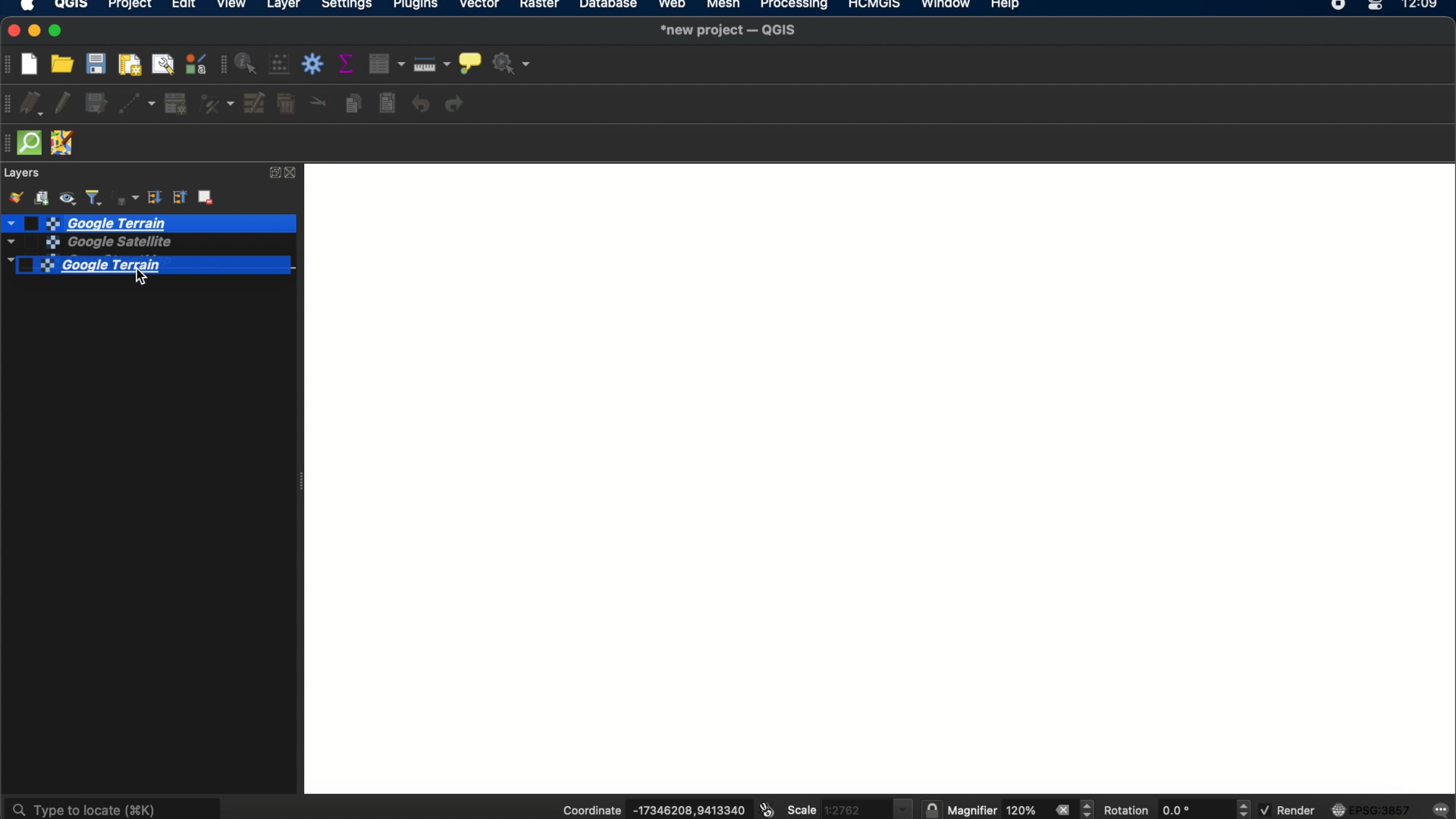 The width and height of the screenshot is (1456, 819). I want to click on toggle extents and mouse position display, so click(765, 810).